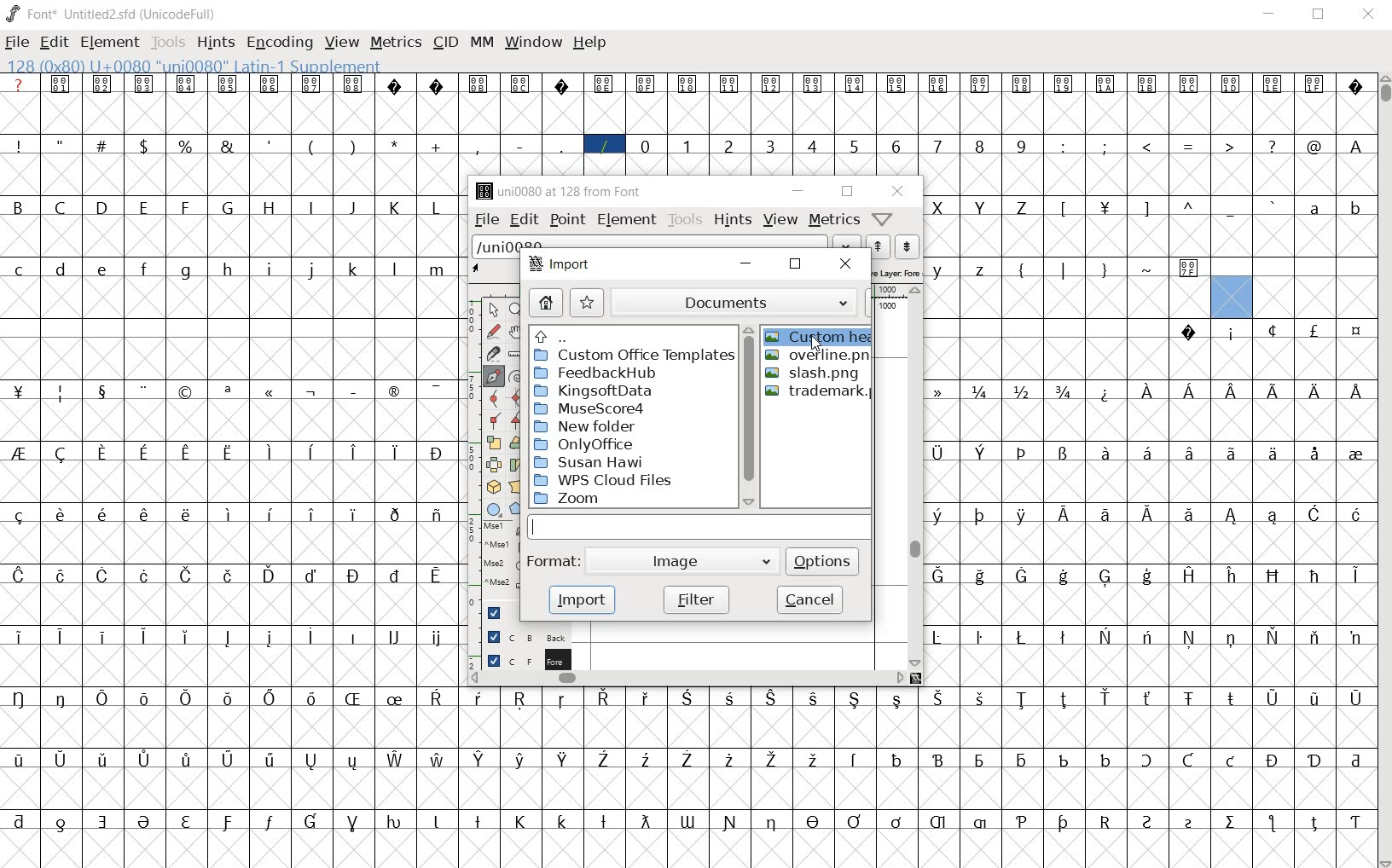  I want to click on glyph, so click(186, 84).